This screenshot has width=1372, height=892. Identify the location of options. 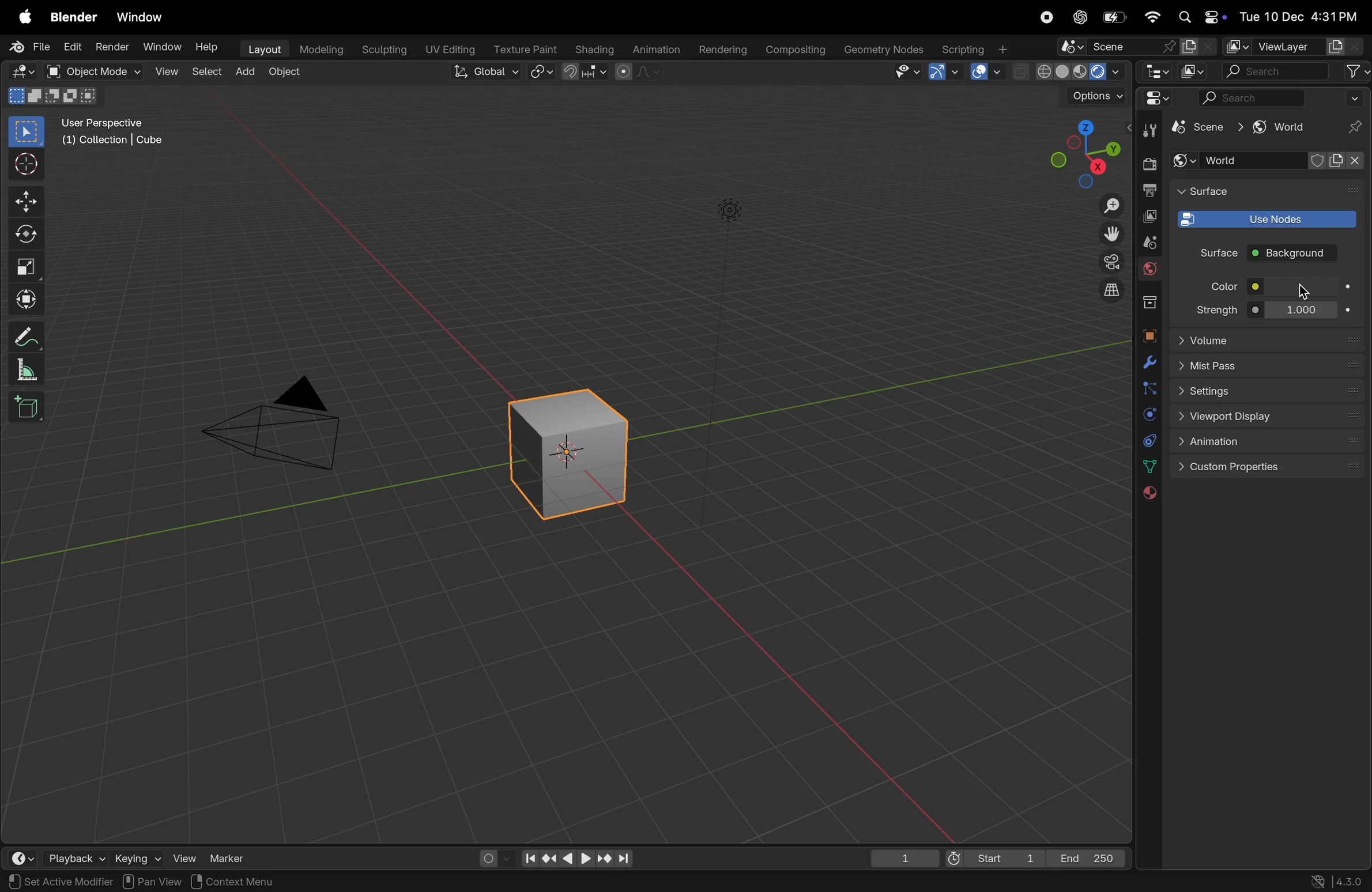
(1088, 99).